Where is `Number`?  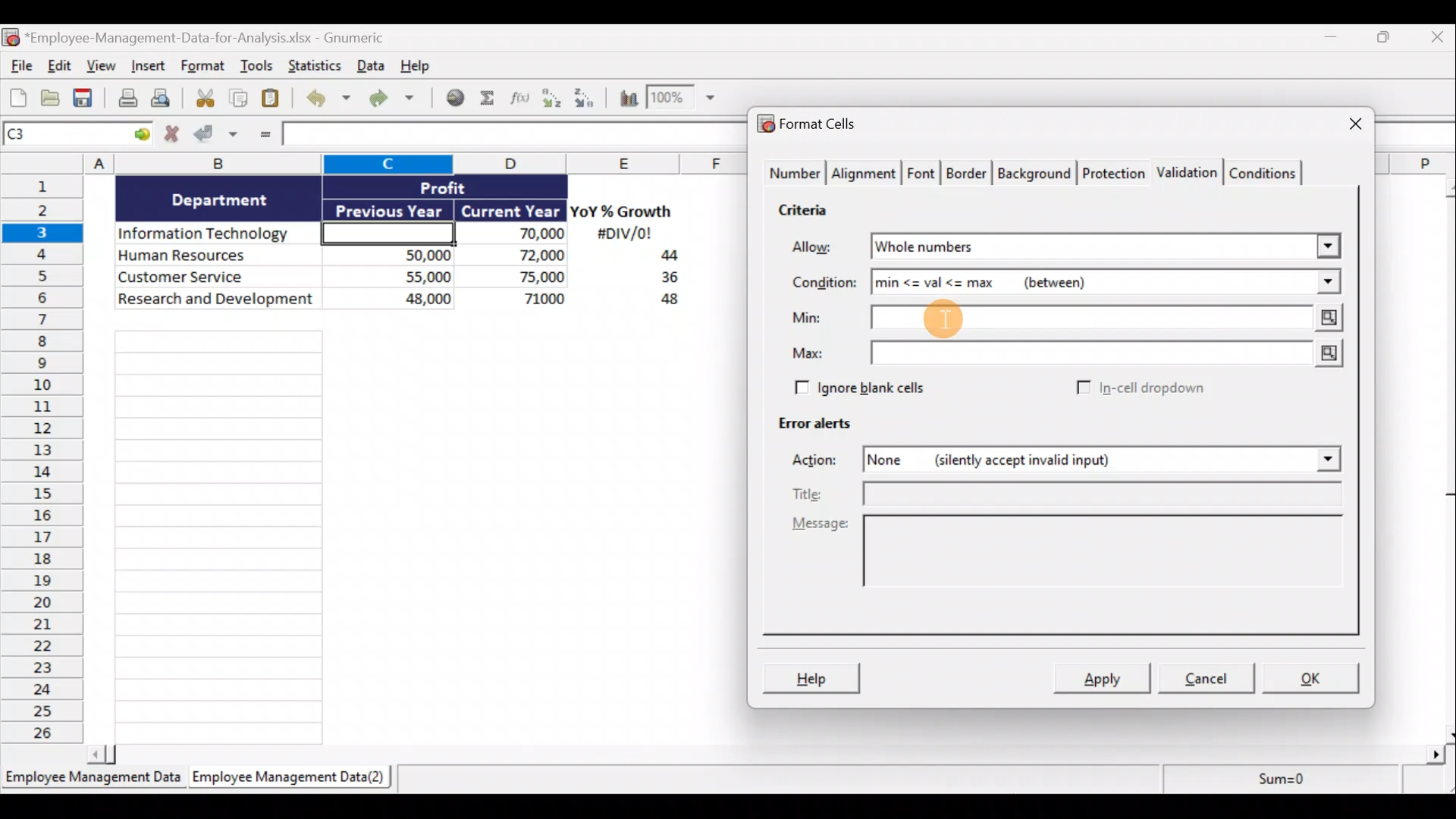 Number is located at coordinates (793, 174).